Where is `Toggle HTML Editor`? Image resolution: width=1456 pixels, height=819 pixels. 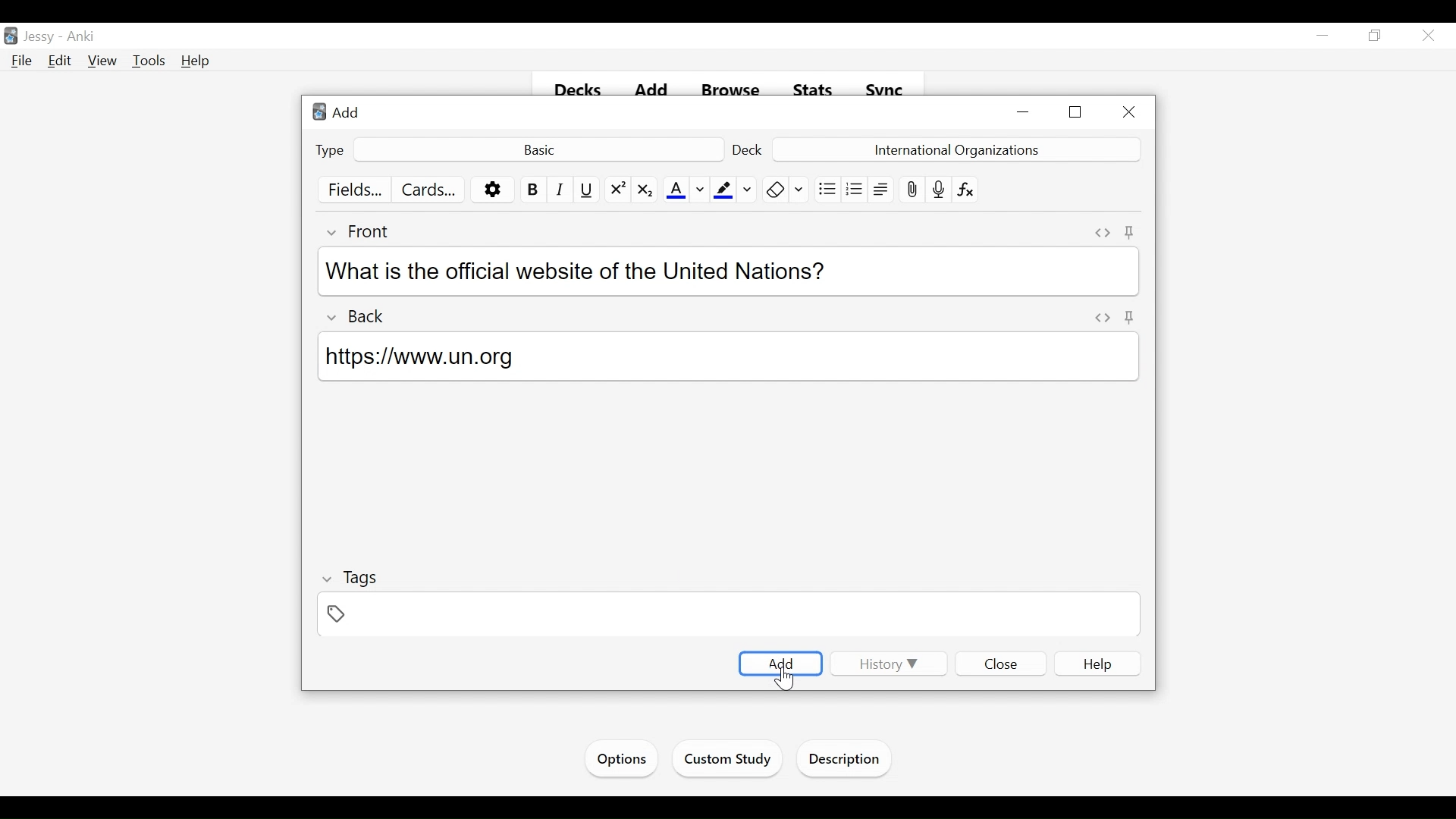
Toggle HTML Editor is located at coordinates (1102, 316).